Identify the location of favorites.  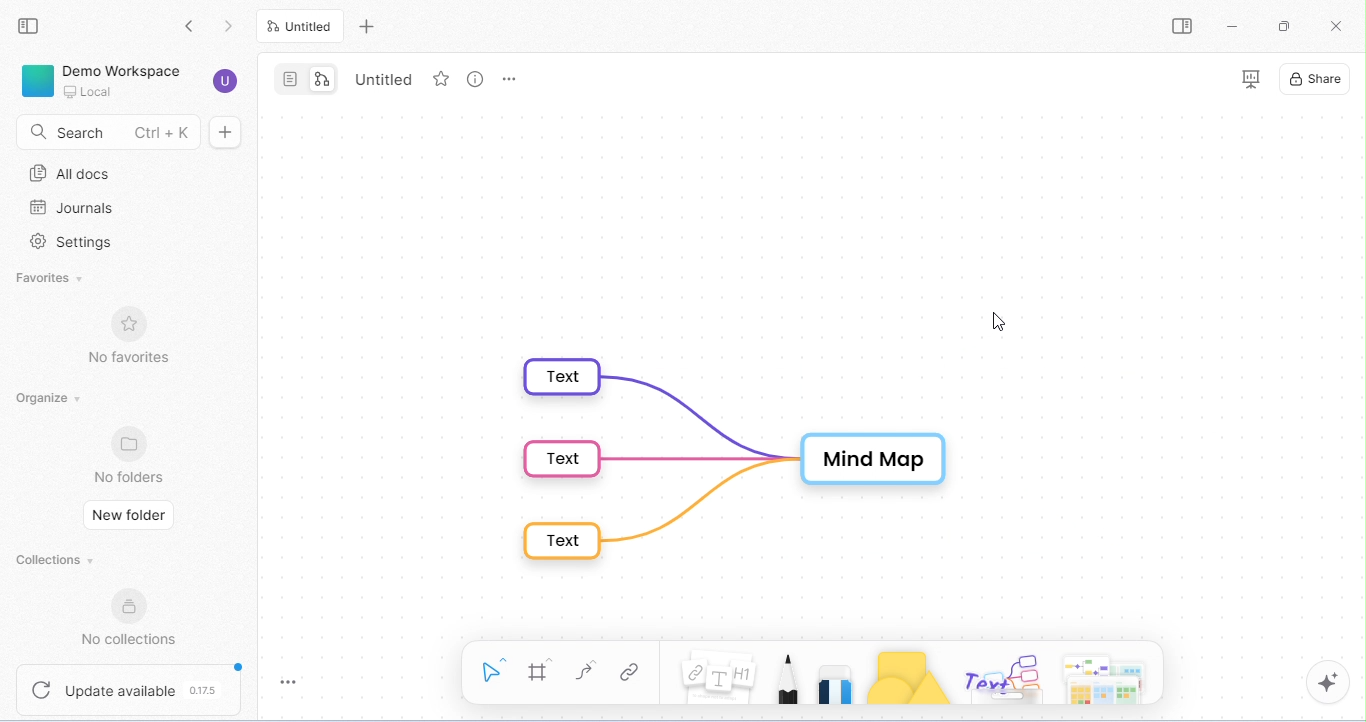
(439, 80).